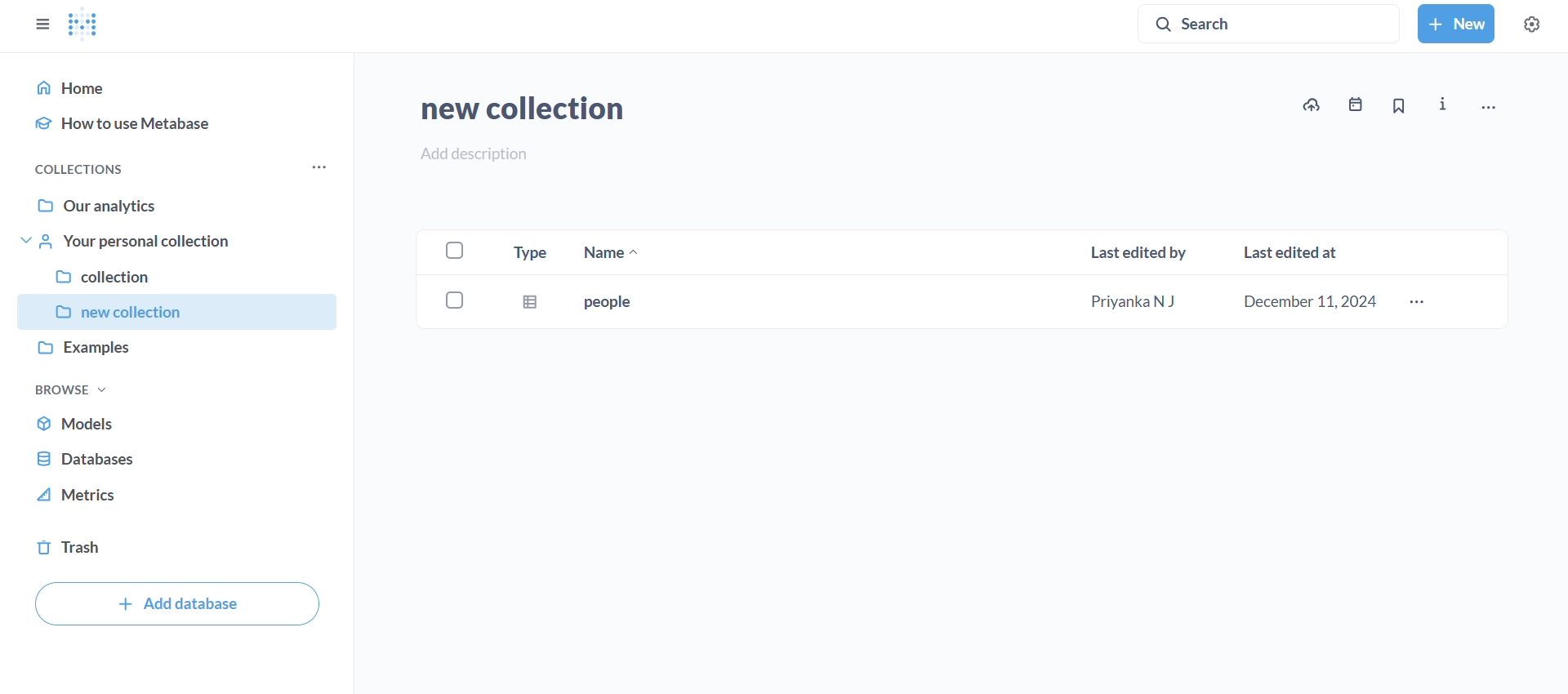 The image size is (1568, 694). Describe the element at coordinates (86, 25) in the screenshot. I see `logo` at that location.